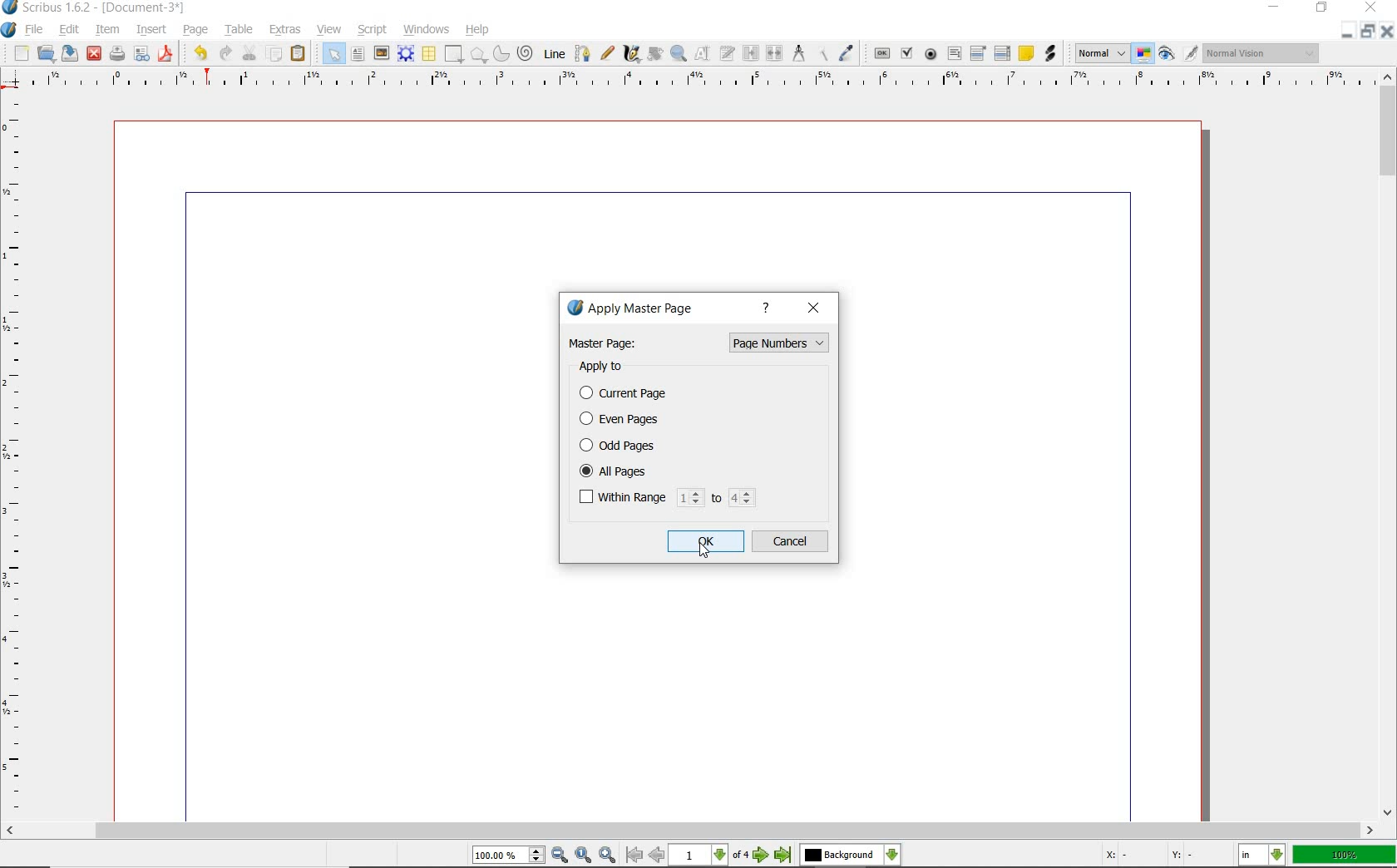 Image resolution: width=1397 pixels, height=868 pixels. What do you see at coordinates (405, 54) in the screenshot?
I see `render frame` at bounding box center [405, 54].